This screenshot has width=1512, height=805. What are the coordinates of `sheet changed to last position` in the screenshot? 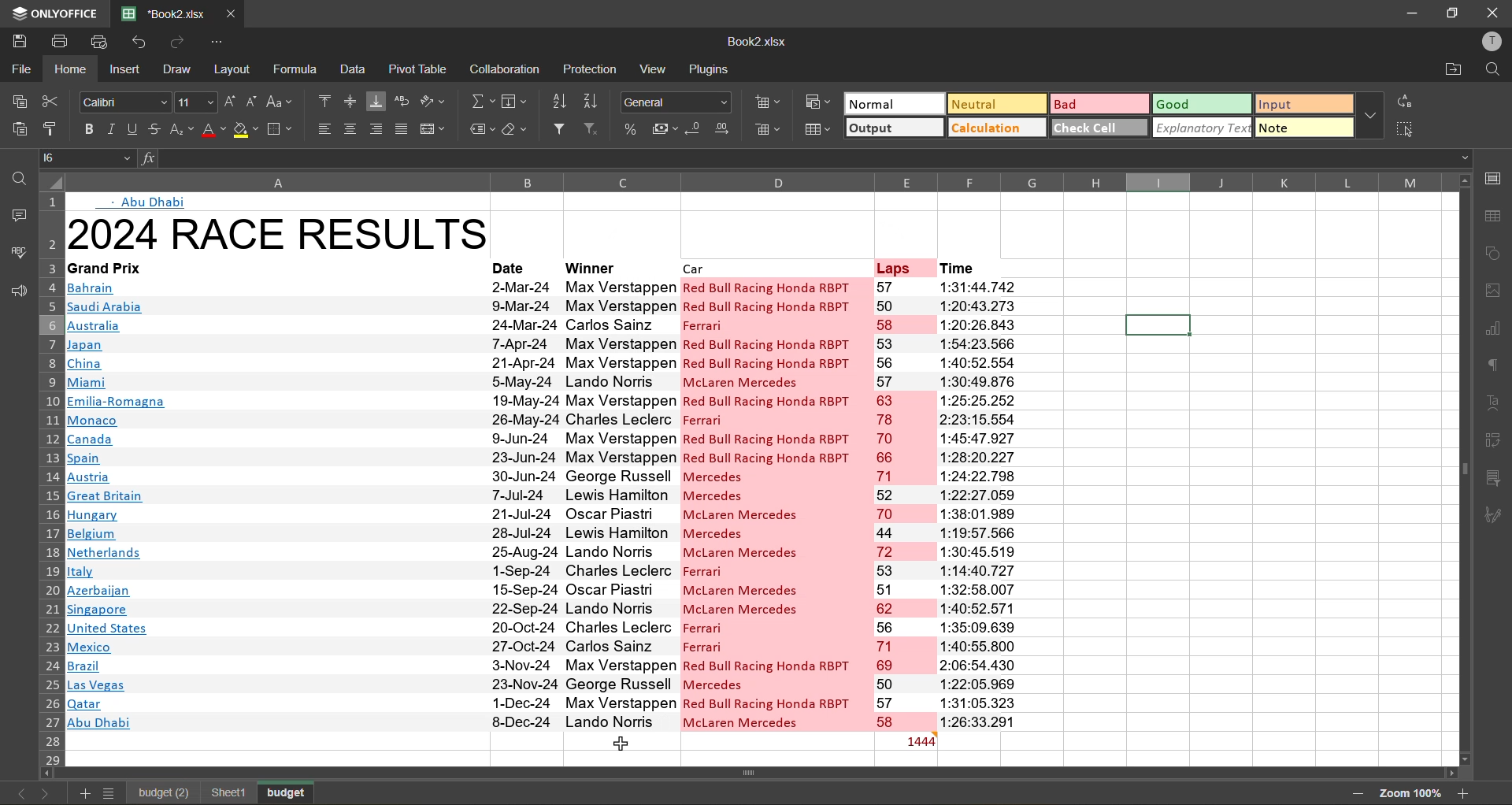 It's located at (289, 790).